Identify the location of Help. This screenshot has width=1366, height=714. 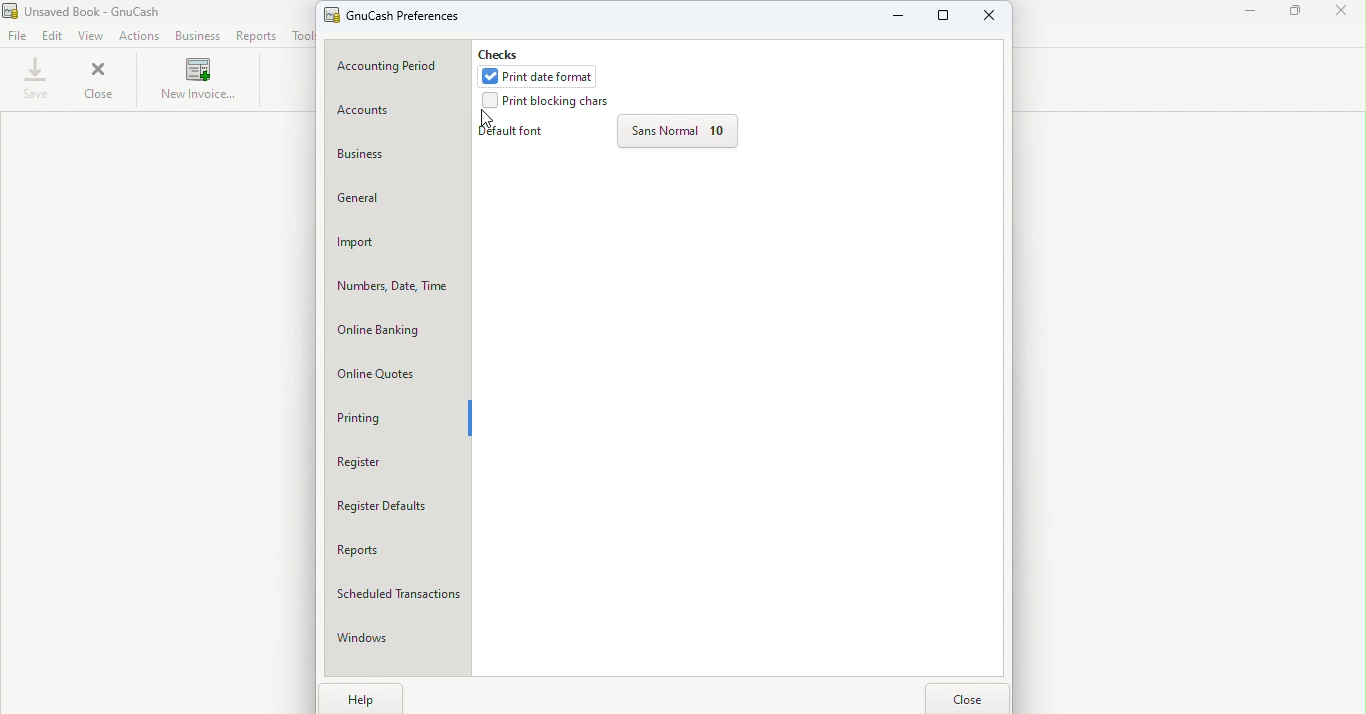
(361, 698).